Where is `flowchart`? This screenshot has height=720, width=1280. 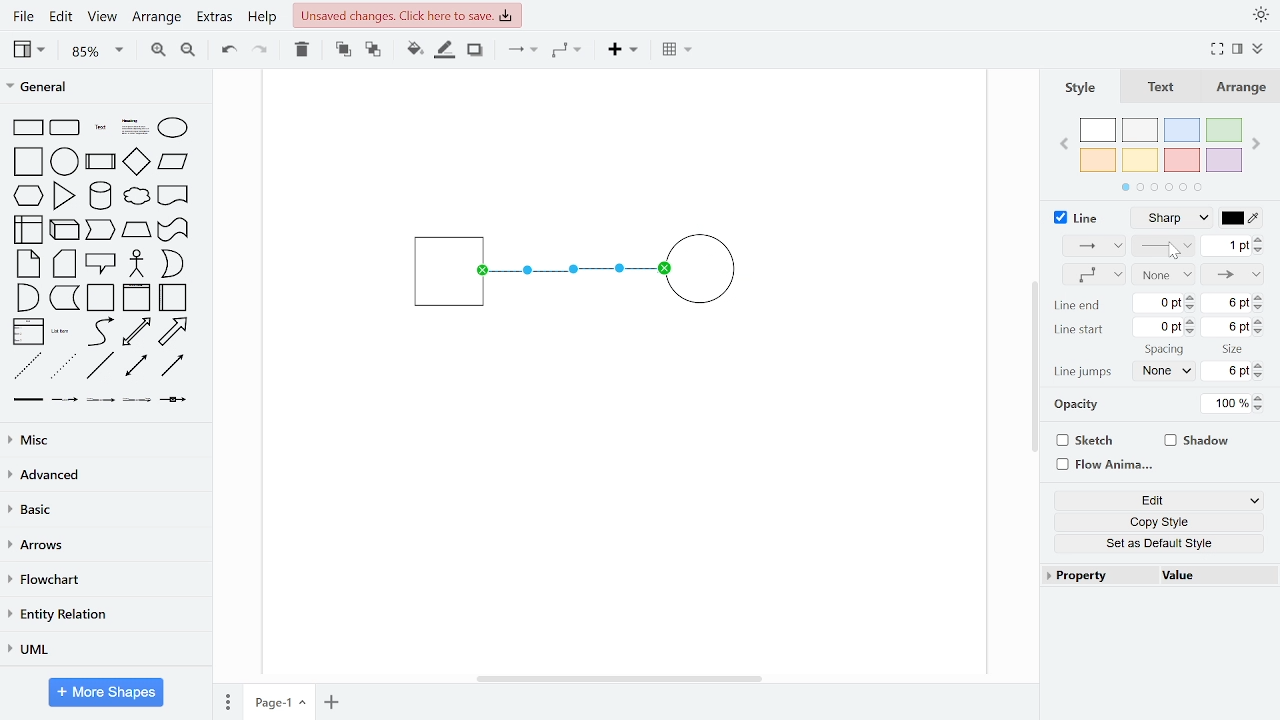 flowchart is located at coordinates (102, 581).